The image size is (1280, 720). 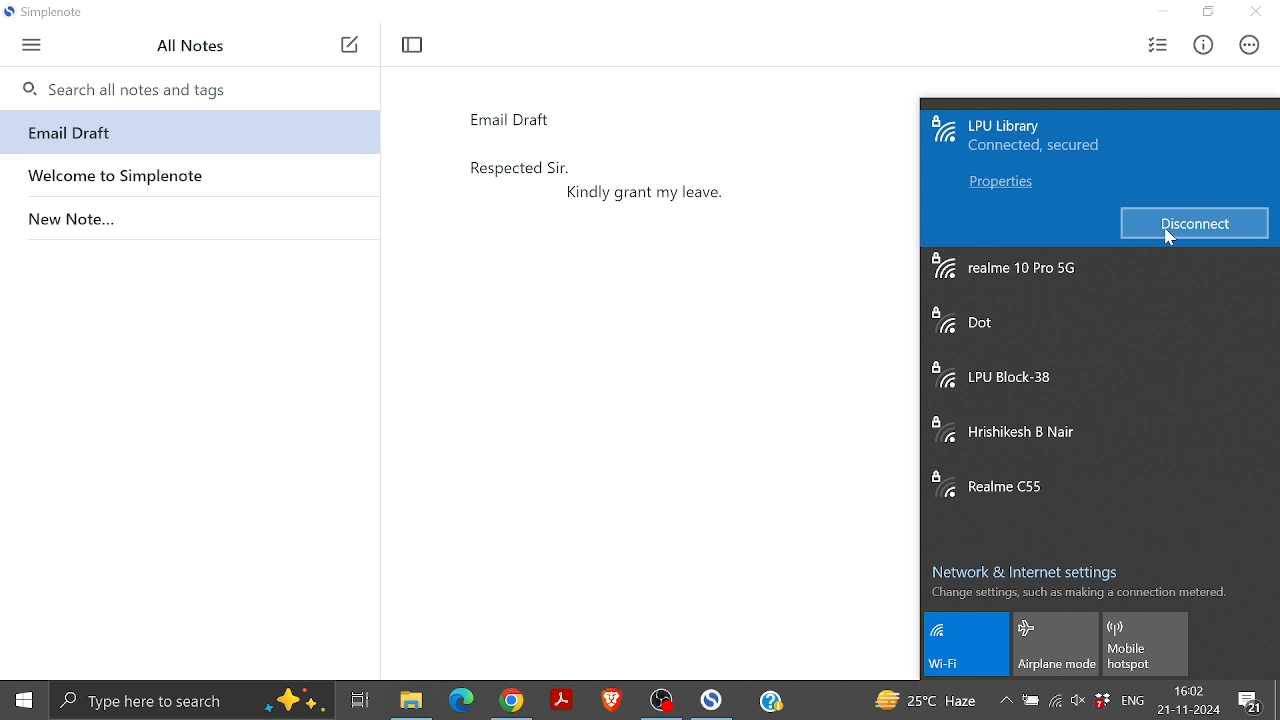 I want to click on All notes, so click(x=197, y=46).